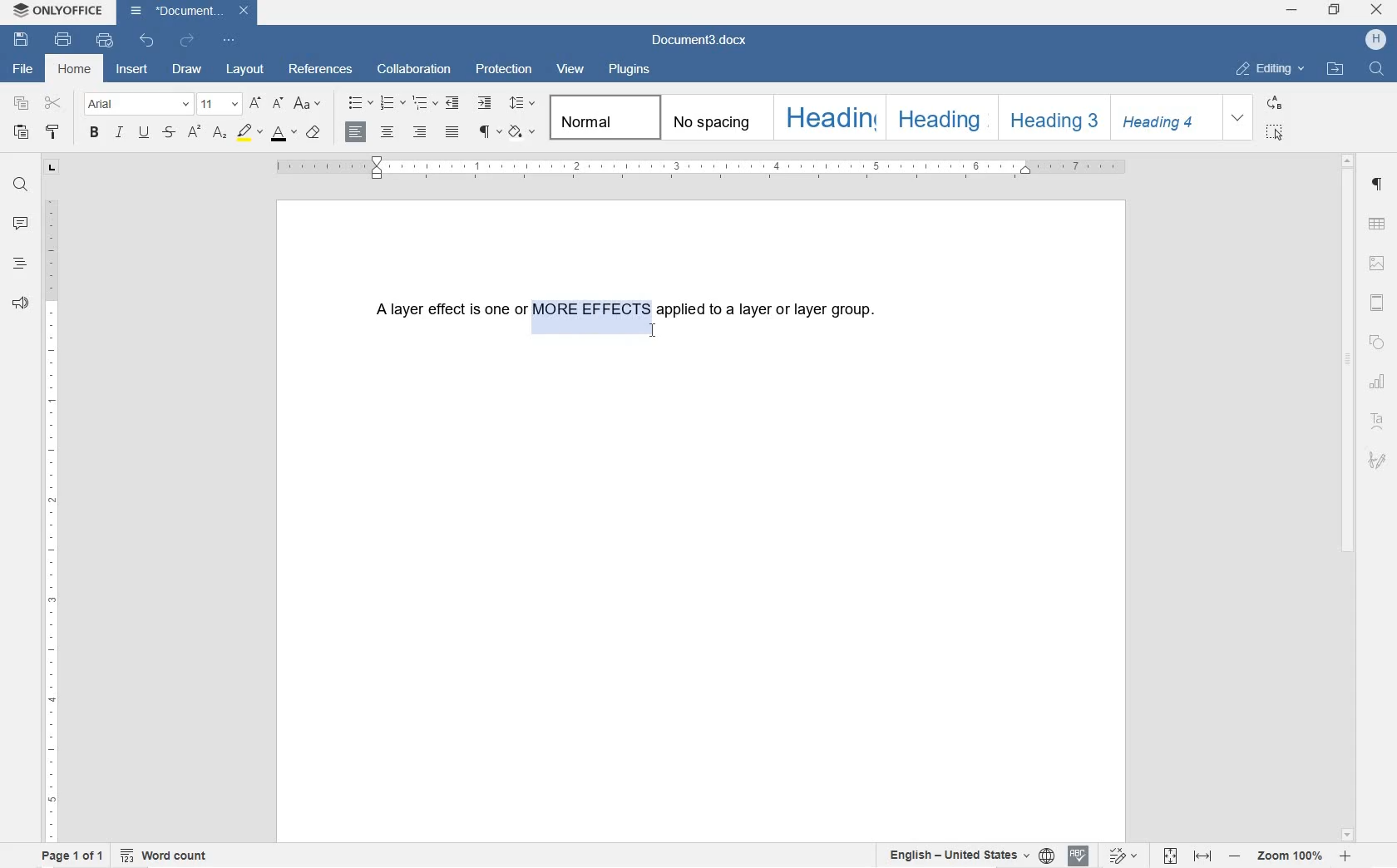  What do you see at coordinates (1377, 12) in the screenshot?
I see `CLOSE` at bounding box center [1377, 12].